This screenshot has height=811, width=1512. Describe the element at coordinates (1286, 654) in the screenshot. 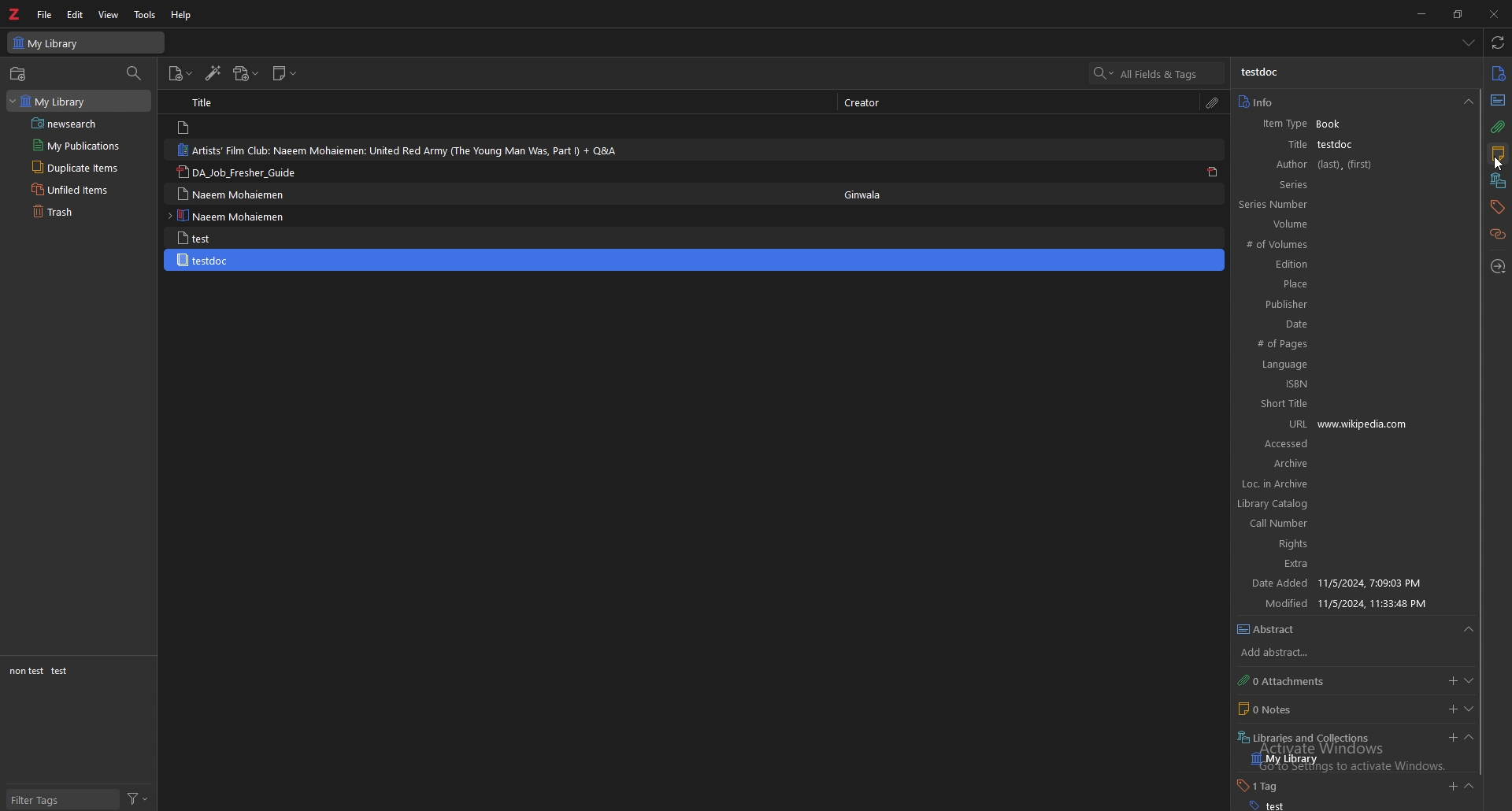

I see `add abstract...` at that location.